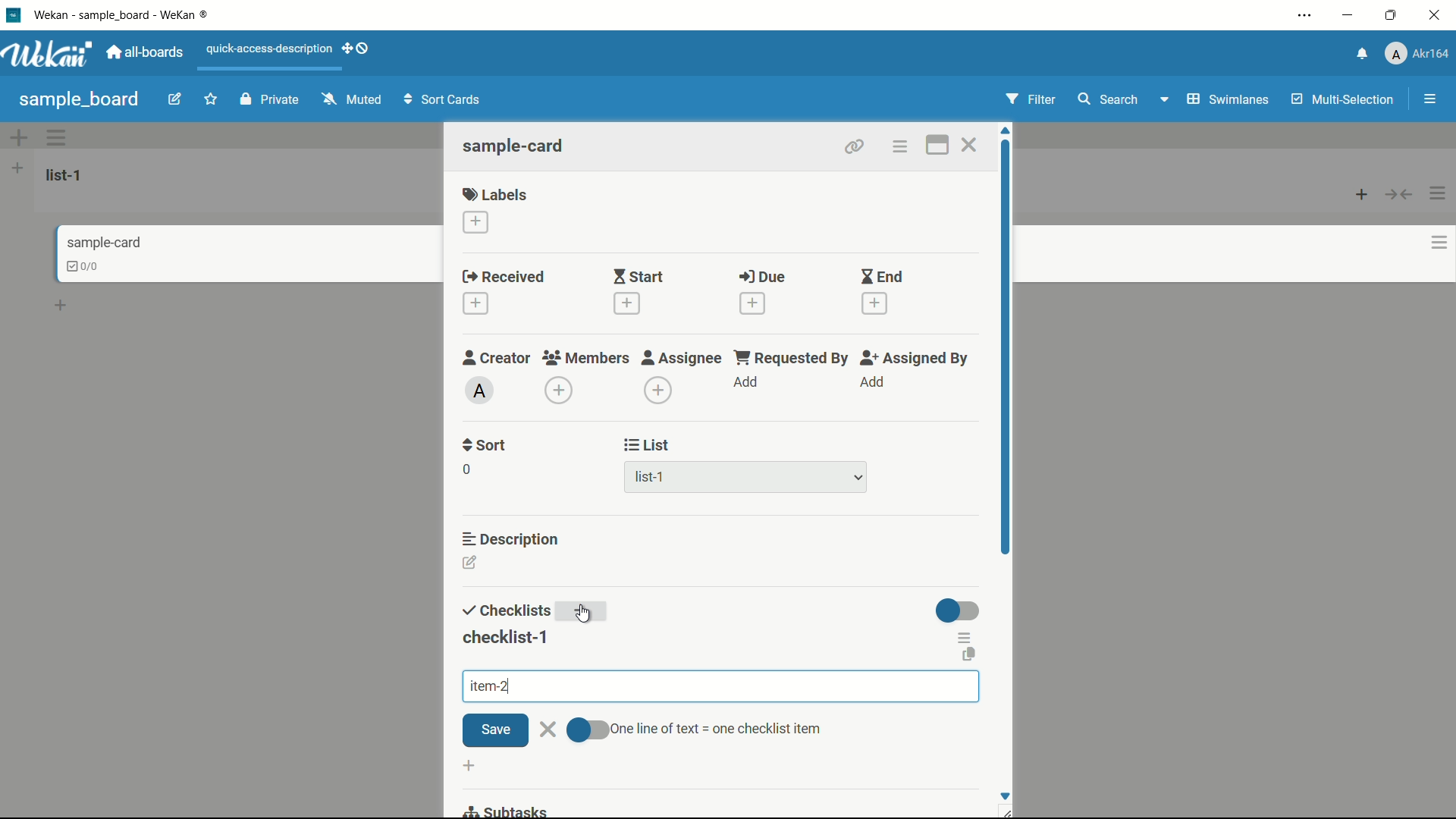 Image resolution: width=1456 pixels, height=819 pixels. I want to click on muted, so click(350, 100).